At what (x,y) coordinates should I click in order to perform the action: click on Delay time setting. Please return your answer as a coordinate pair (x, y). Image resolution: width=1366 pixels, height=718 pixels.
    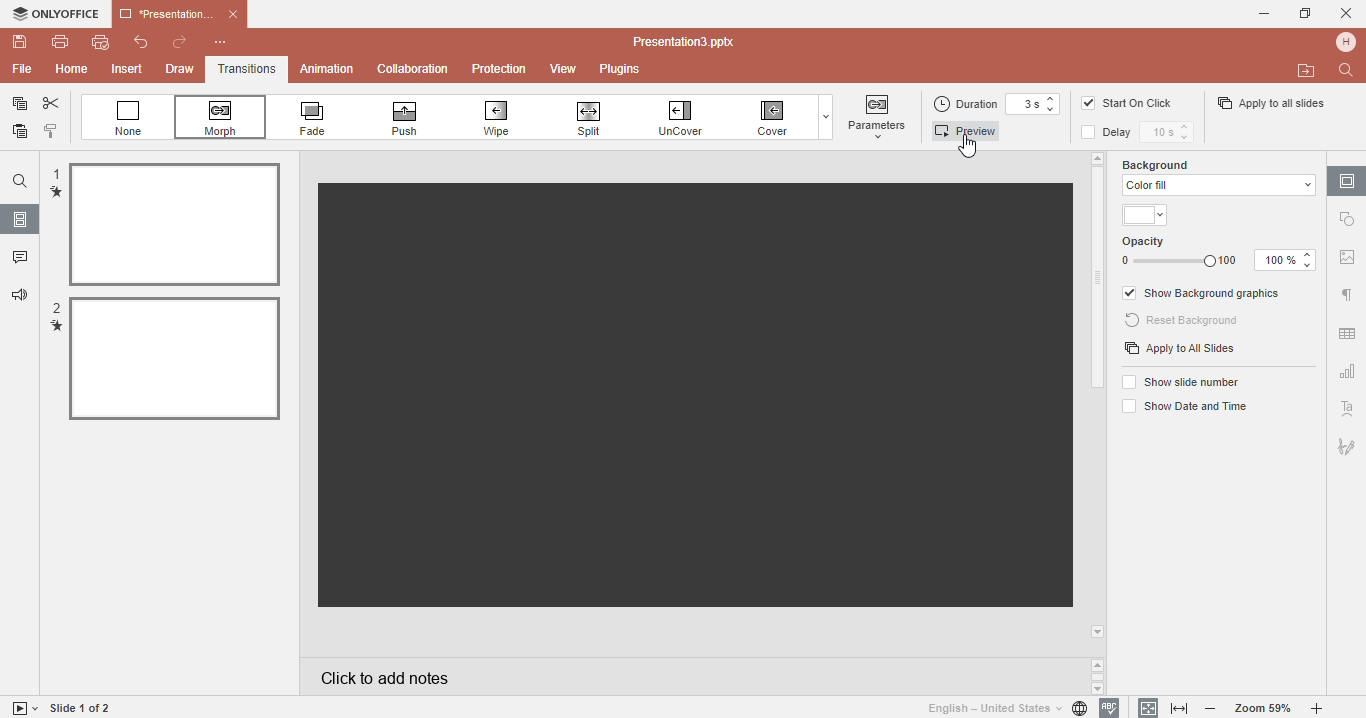
    Looking at the image, I should click on (1171, 133).